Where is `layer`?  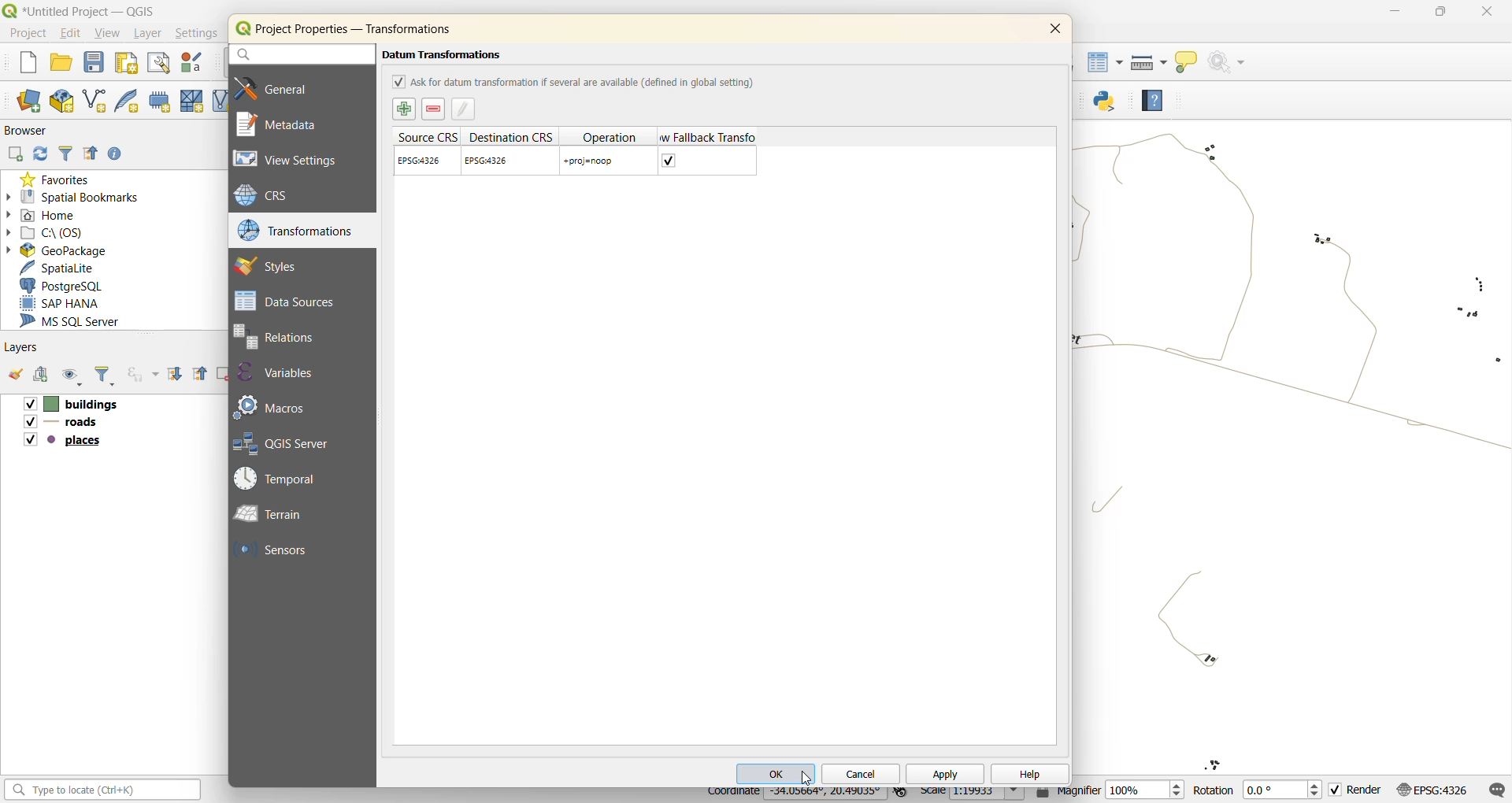
layer is located at coordinates (146, 34).